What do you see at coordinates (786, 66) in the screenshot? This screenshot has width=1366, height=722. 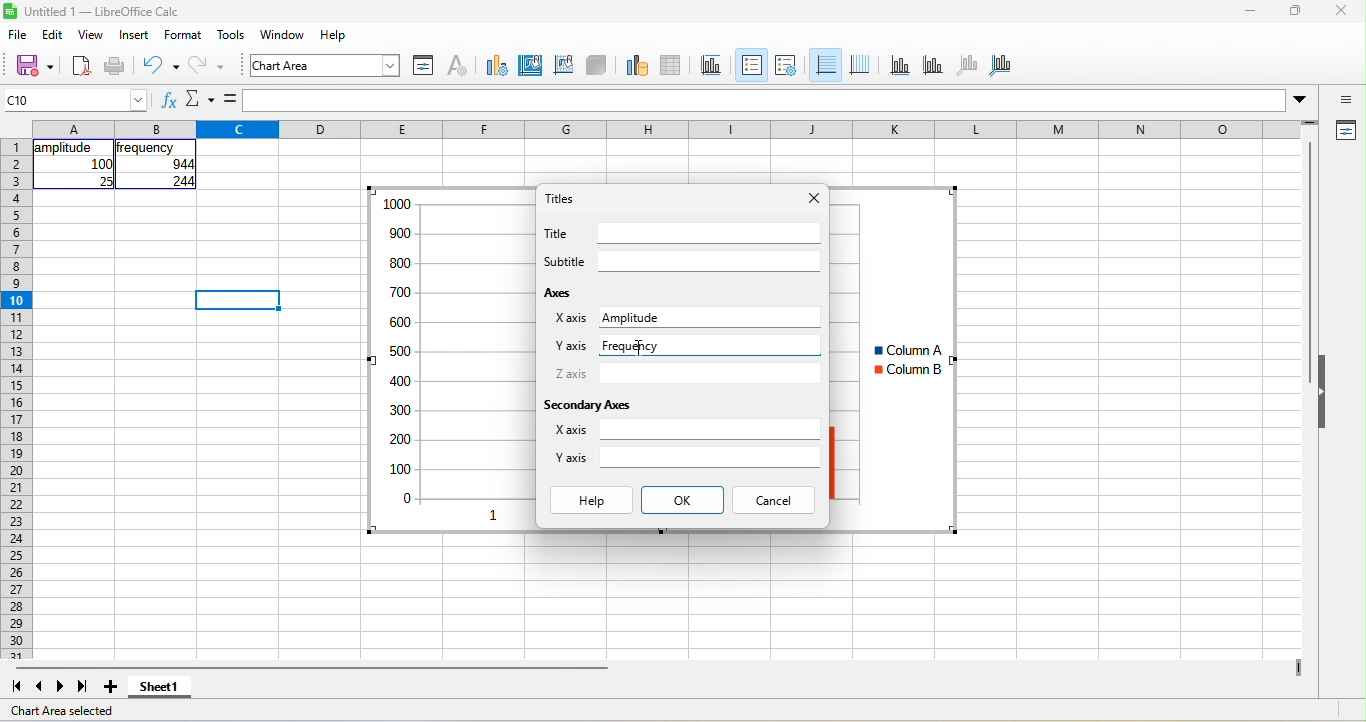 I see `legend` at bounding box center [786, 66].